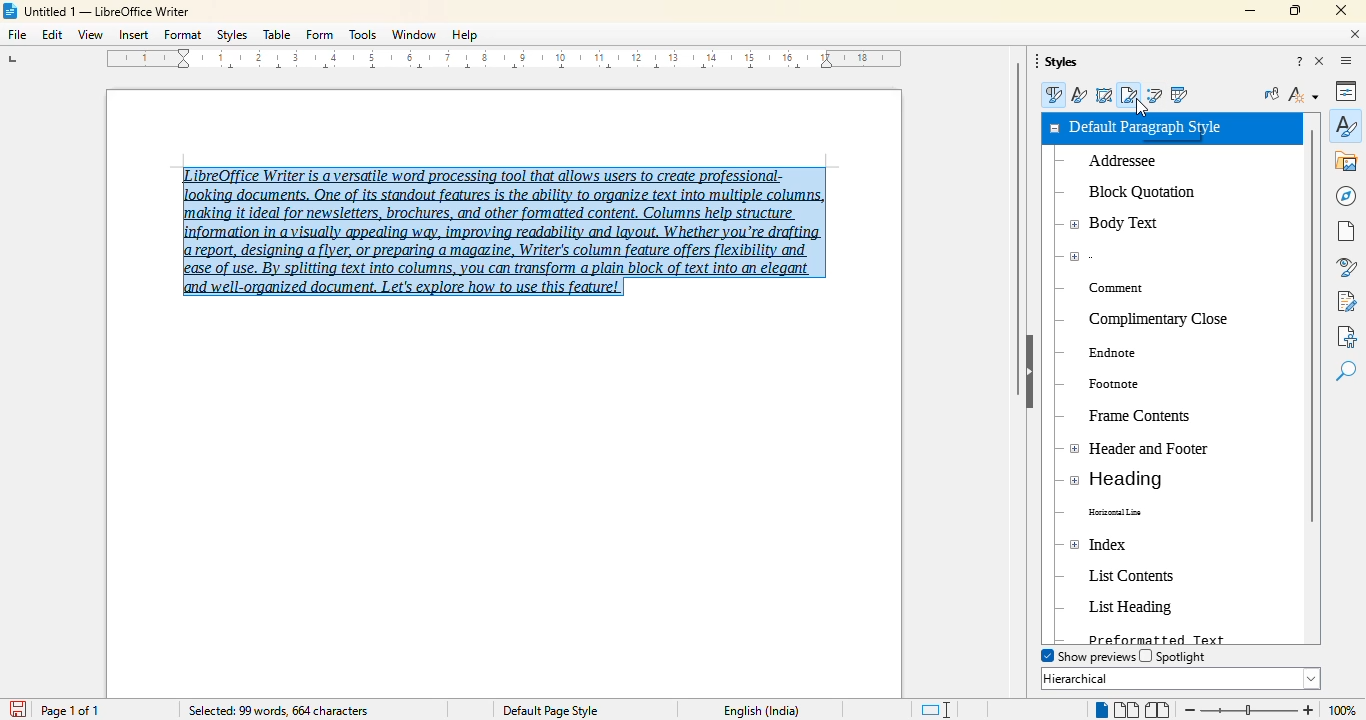  I want to click on close , so click(1341, 10).